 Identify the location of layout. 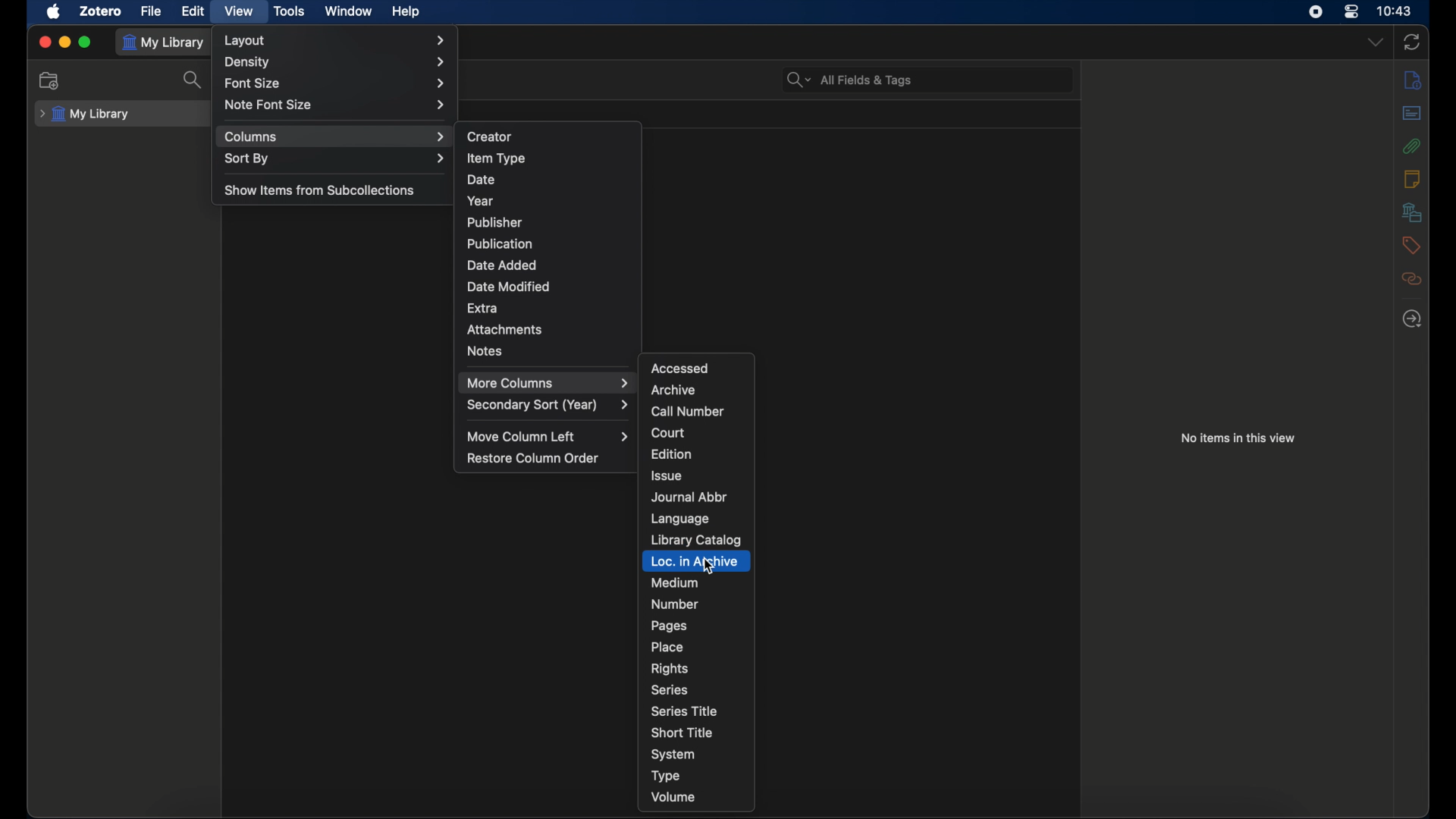
(335, 40).